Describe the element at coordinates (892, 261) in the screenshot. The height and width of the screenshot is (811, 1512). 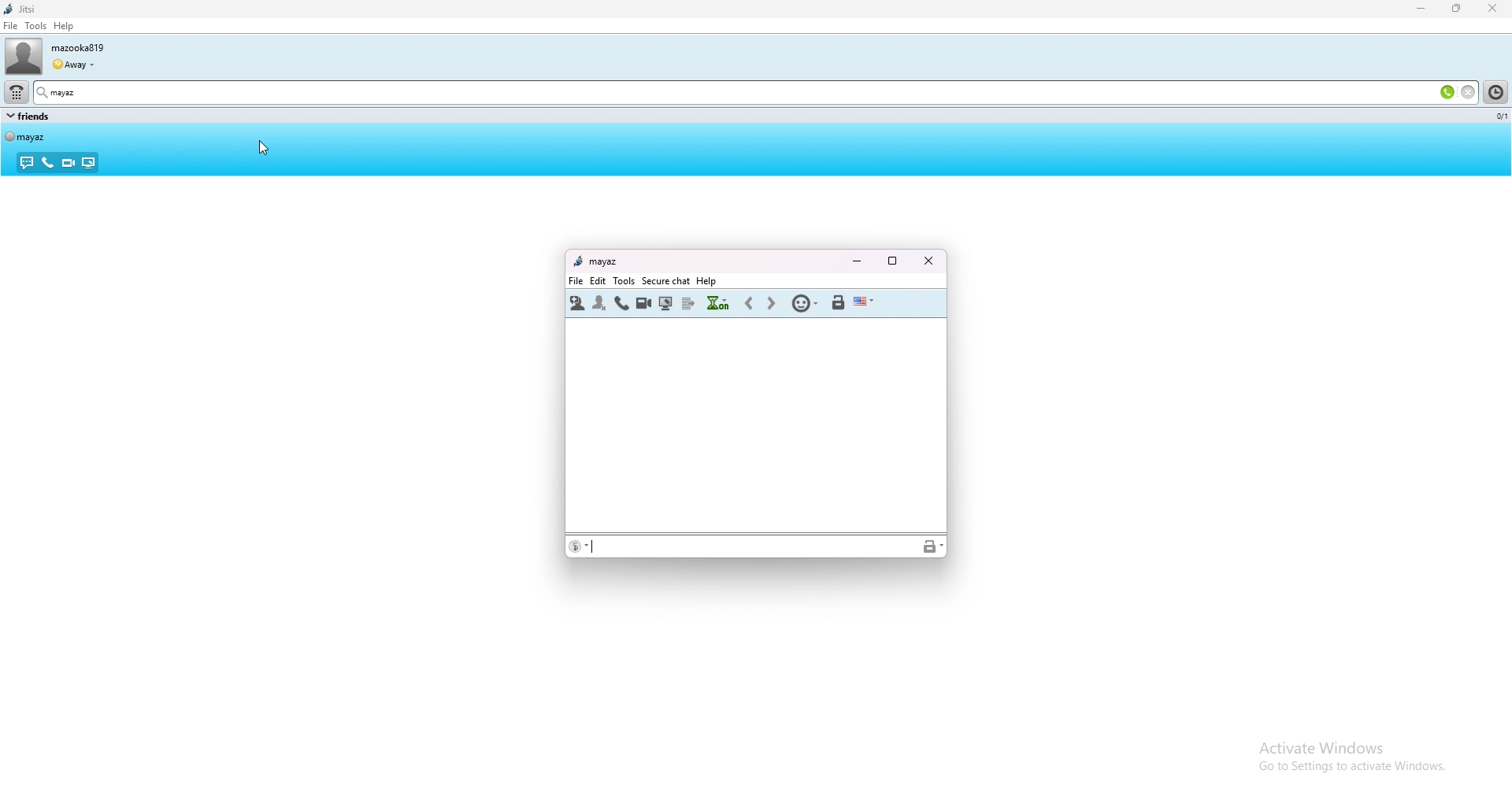
I see `maximize` at that location.